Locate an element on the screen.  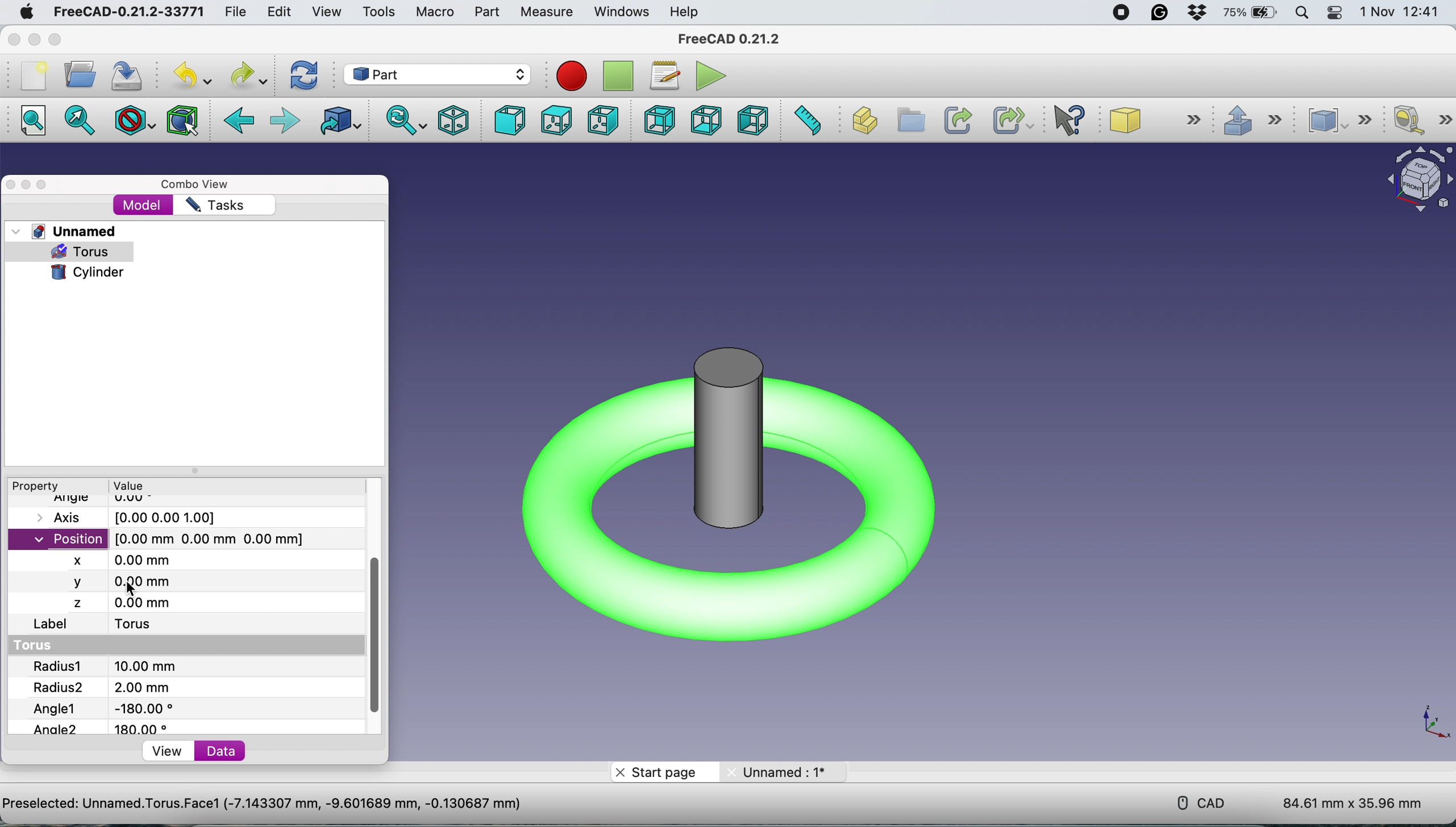
file is located at coordinates (236, 12).